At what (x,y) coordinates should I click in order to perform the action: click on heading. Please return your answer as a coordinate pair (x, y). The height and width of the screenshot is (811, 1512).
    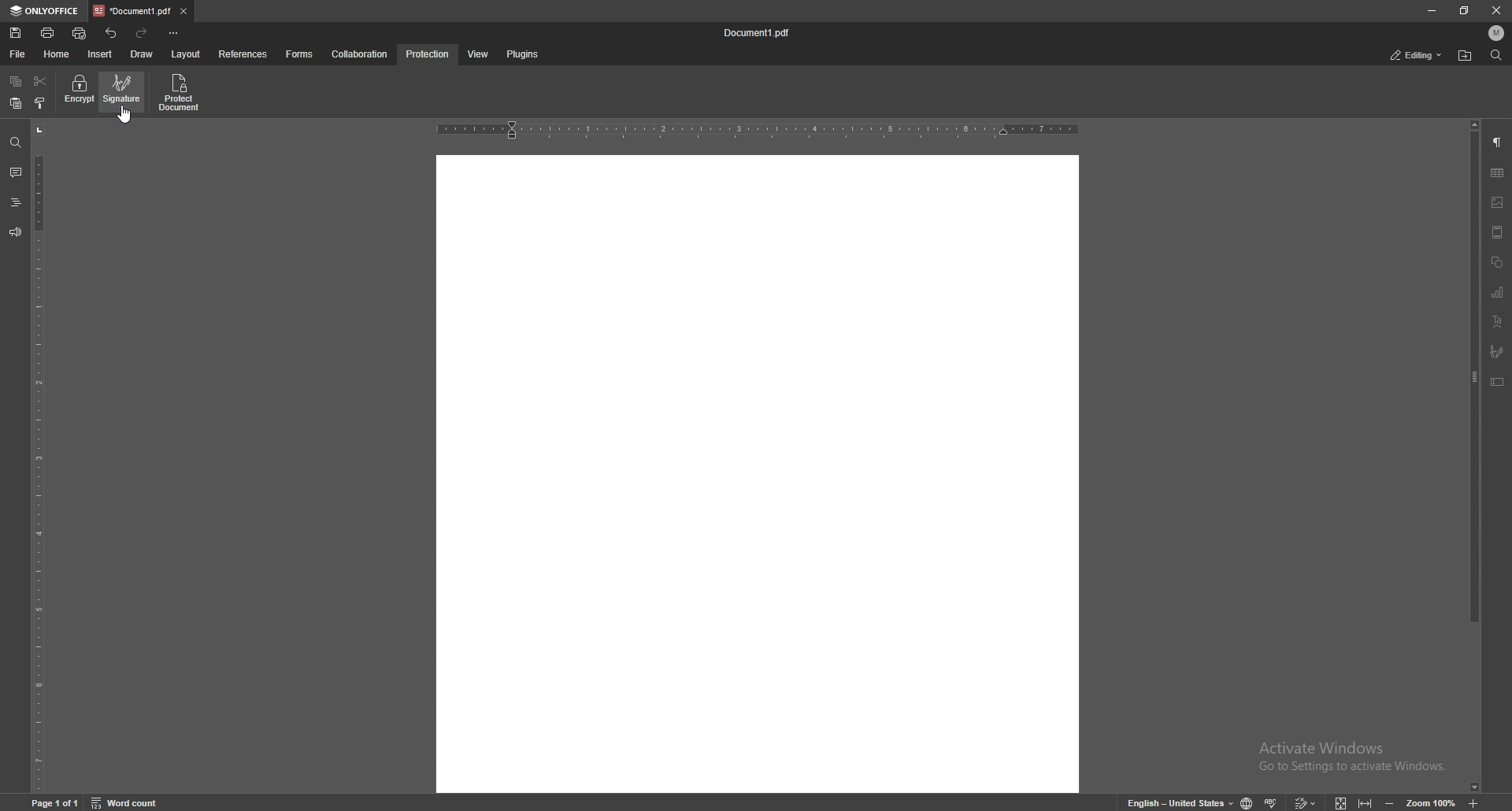
    Looking at the image, I should click on (15, 204).